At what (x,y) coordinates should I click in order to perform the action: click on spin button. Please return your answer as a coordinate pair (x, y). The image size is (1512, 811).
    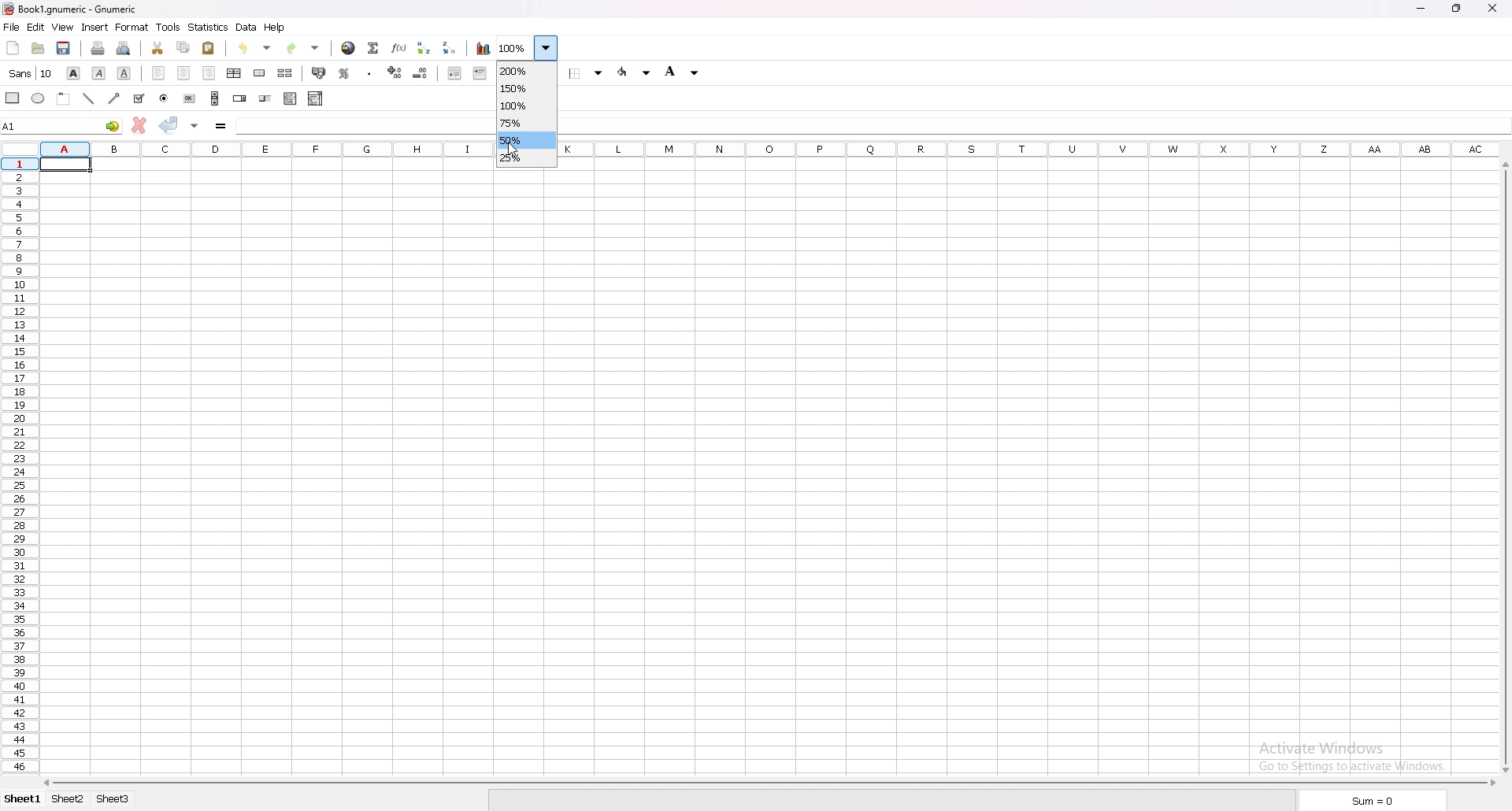
    Looking at the image, I should click on (239, 98).